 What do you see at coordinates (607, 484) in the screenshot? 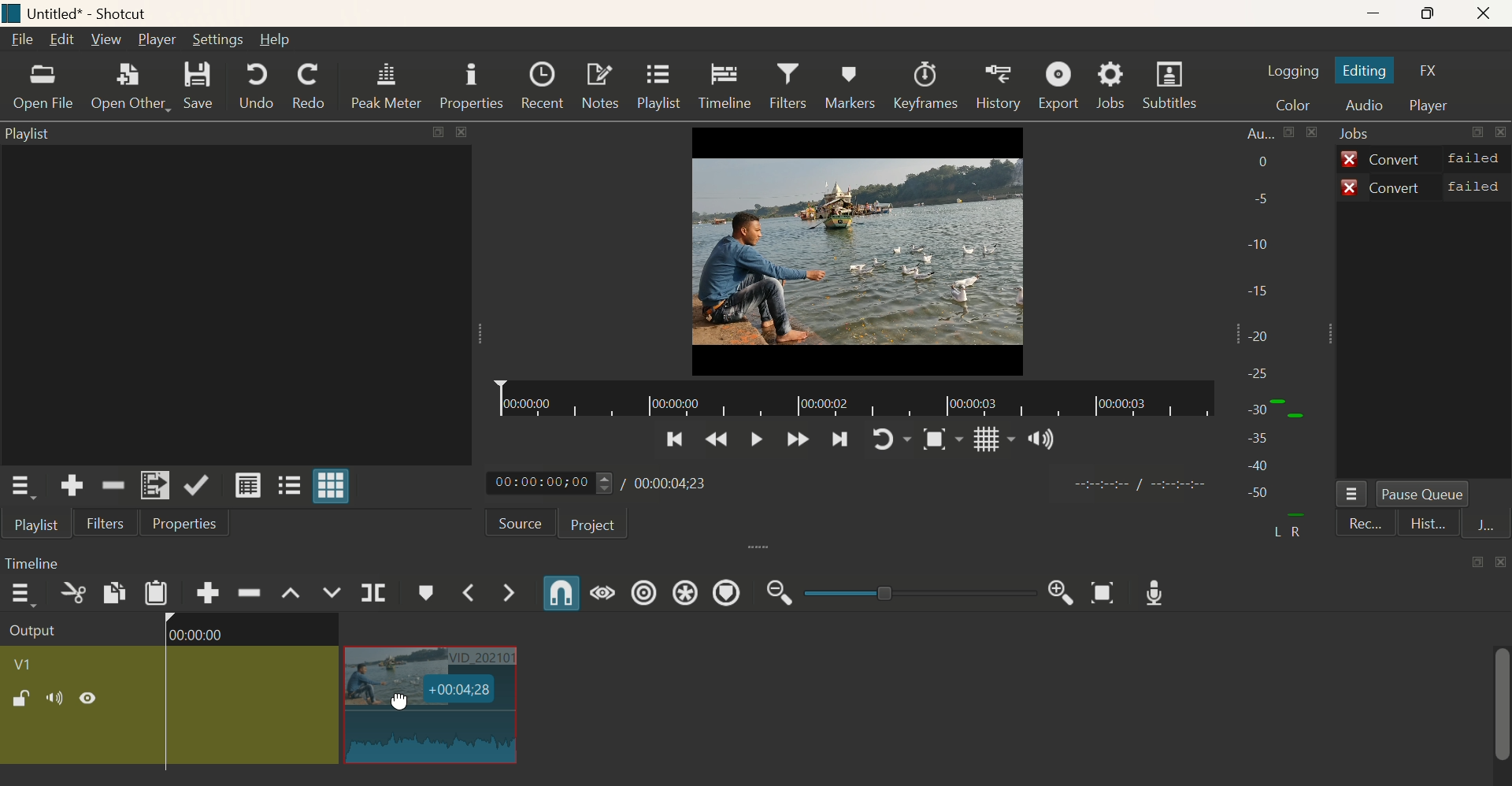
I see `Play time` at bounding box center [607, 484].